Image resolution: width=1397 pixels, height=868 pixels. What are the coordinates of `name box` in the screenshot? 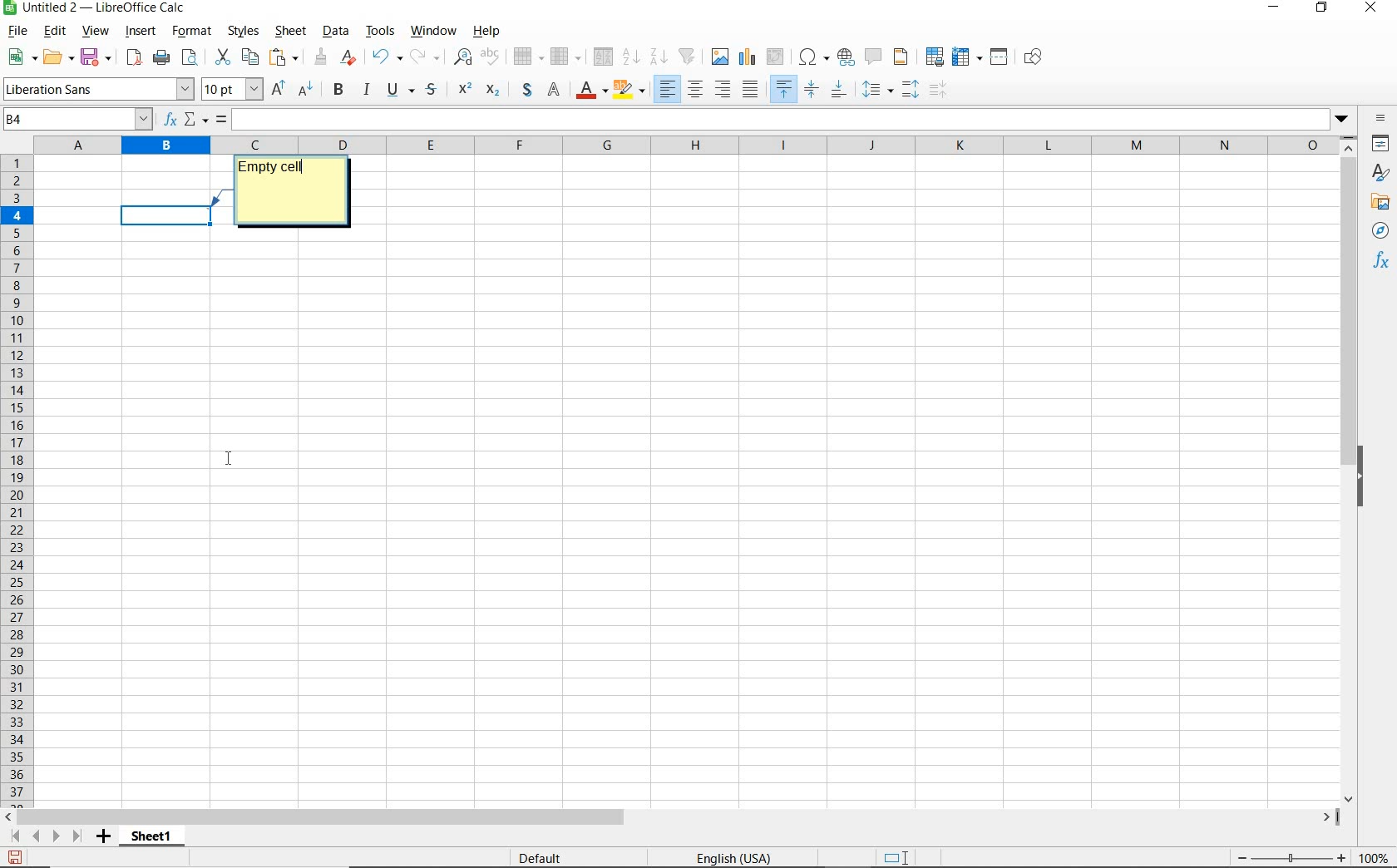 It's located at (78, 120).